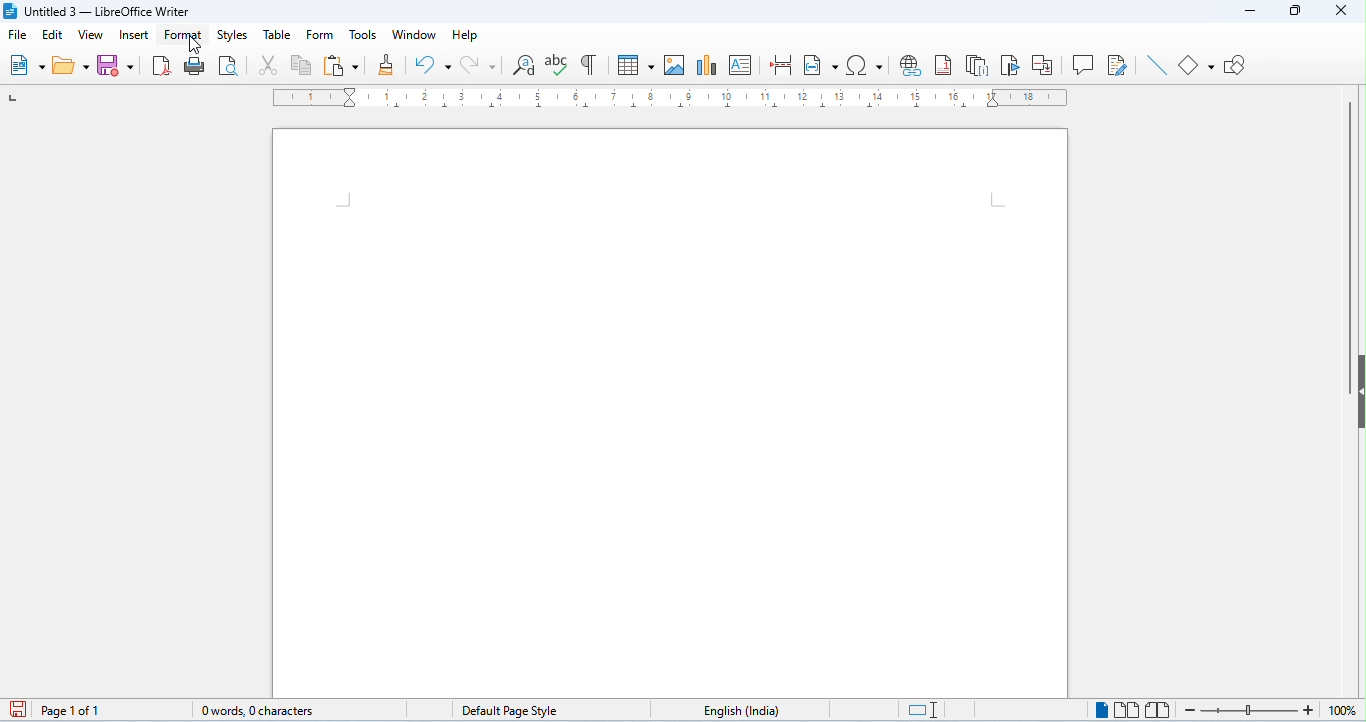 This screenshot has width=1366, height=722. What do you see at coordinates (417, 35) in the screenshot?
I see `window` at bounding box center [417, 35].